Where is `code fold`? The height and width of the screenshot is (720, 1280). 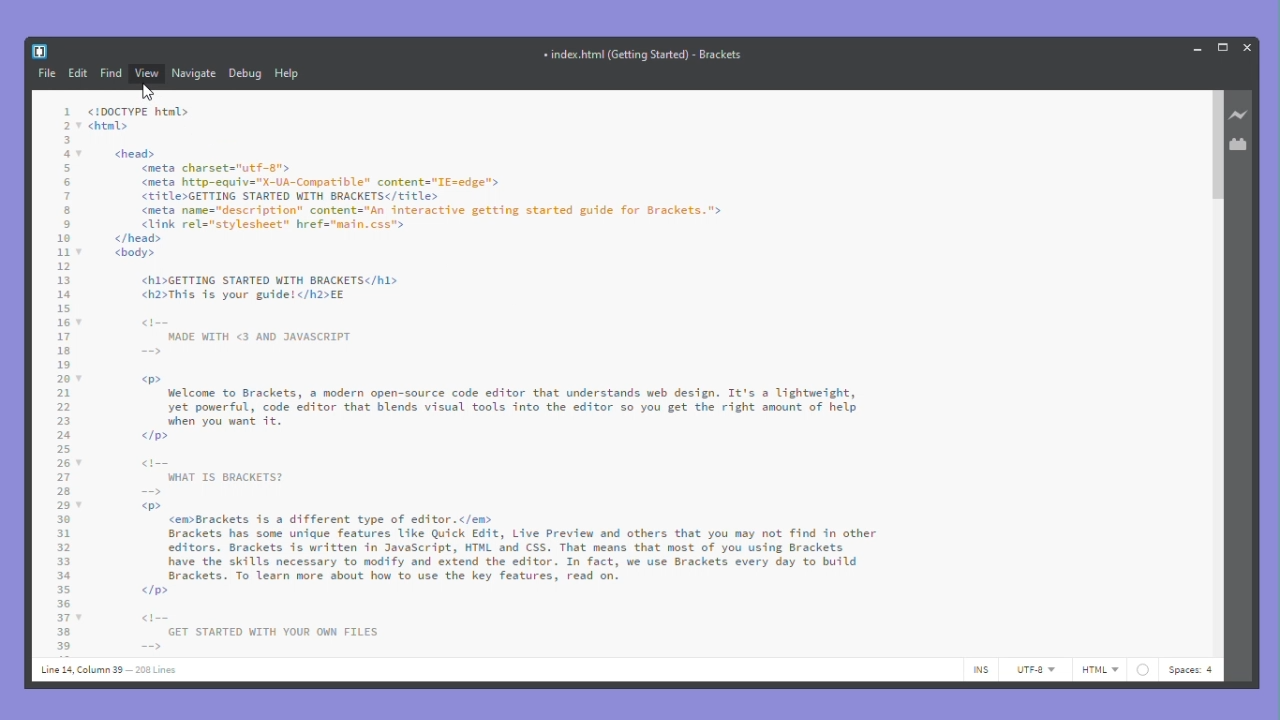 code fold is located at coordinates (80, 321).